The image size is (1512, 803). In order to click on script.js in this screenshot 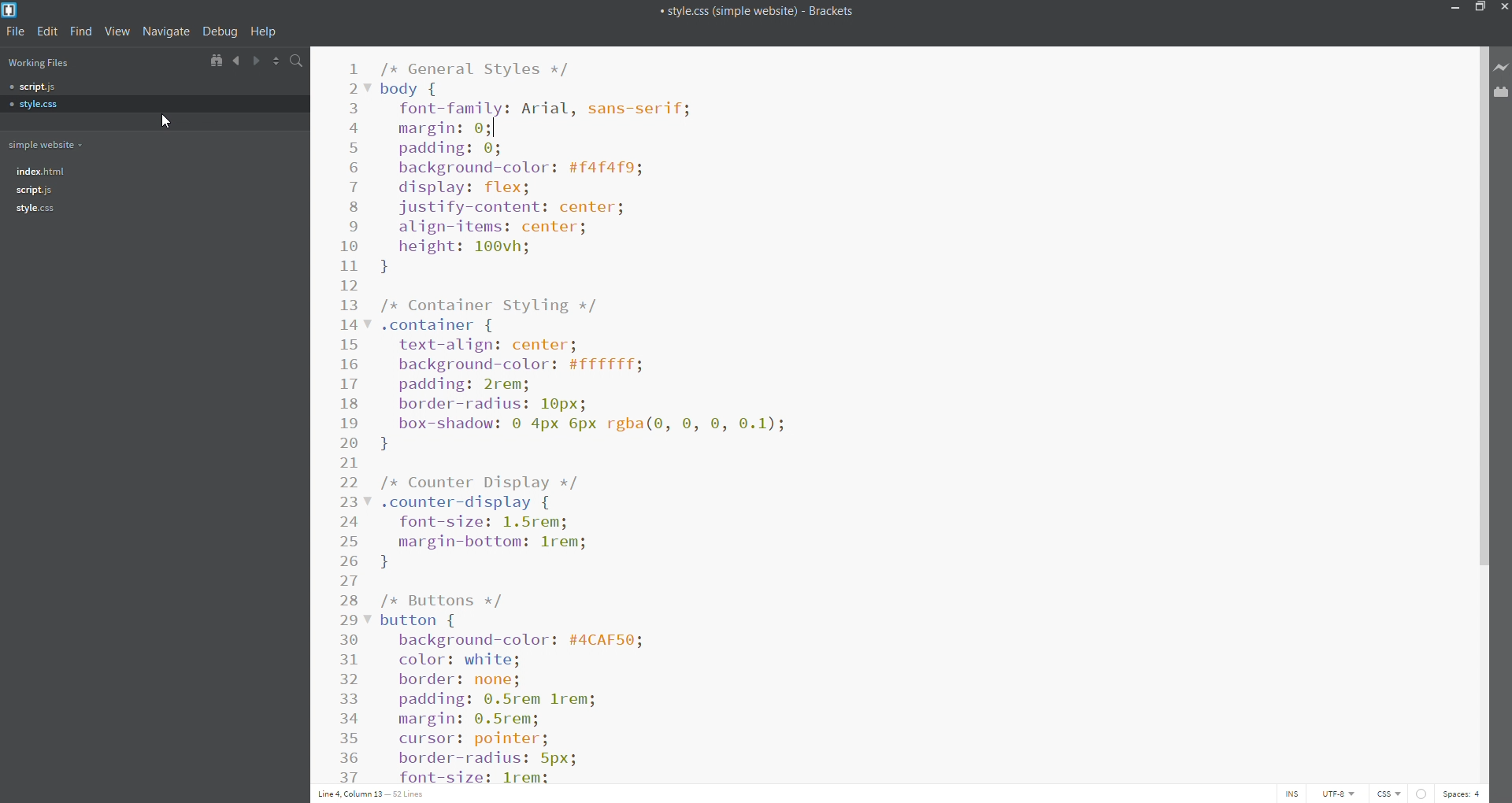, I will do `click(154, 87)`.